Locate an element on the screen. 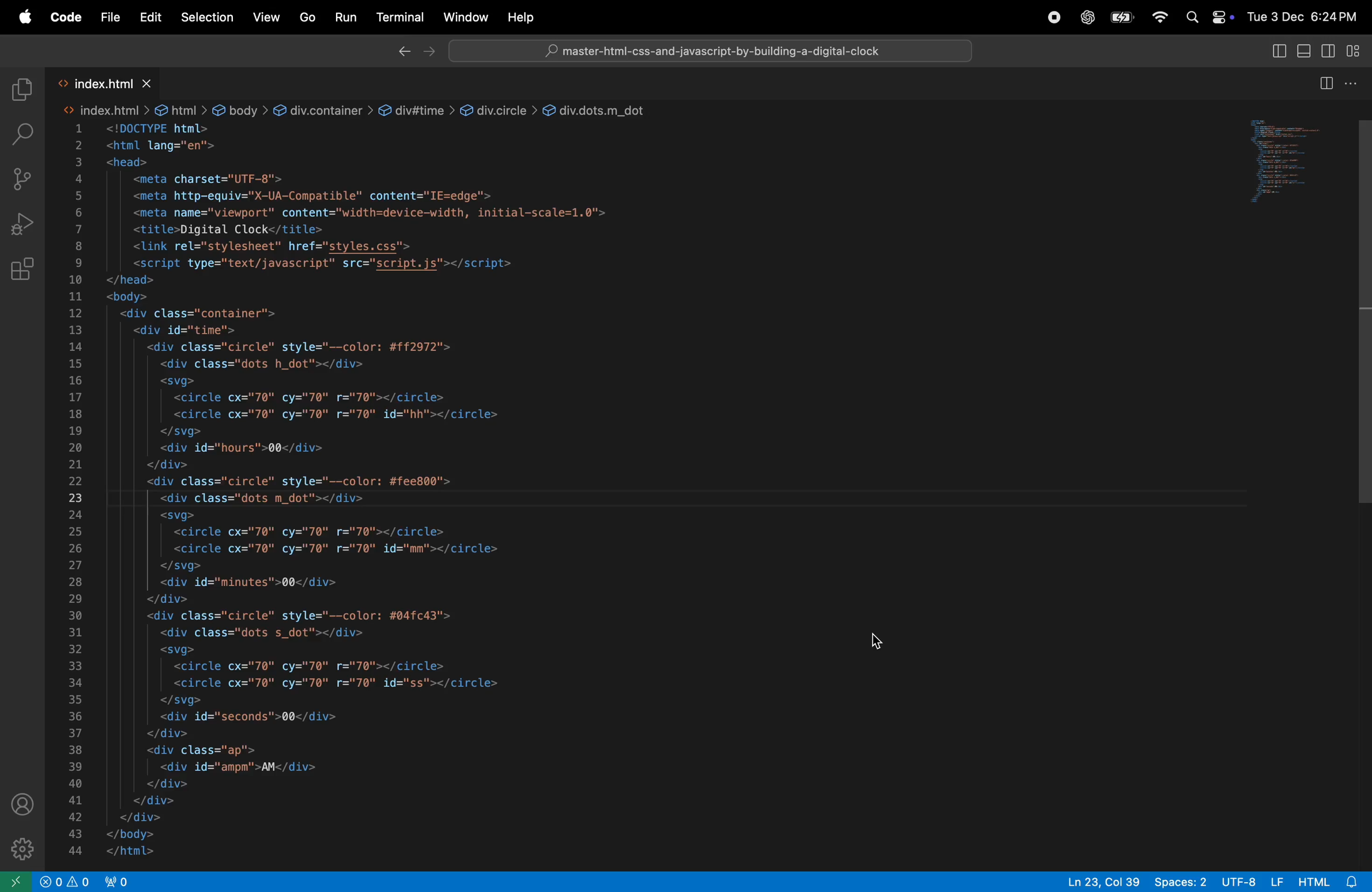 This screenshot has width=1372, height=892. toggle panel is located at coordinates (1305, 51).